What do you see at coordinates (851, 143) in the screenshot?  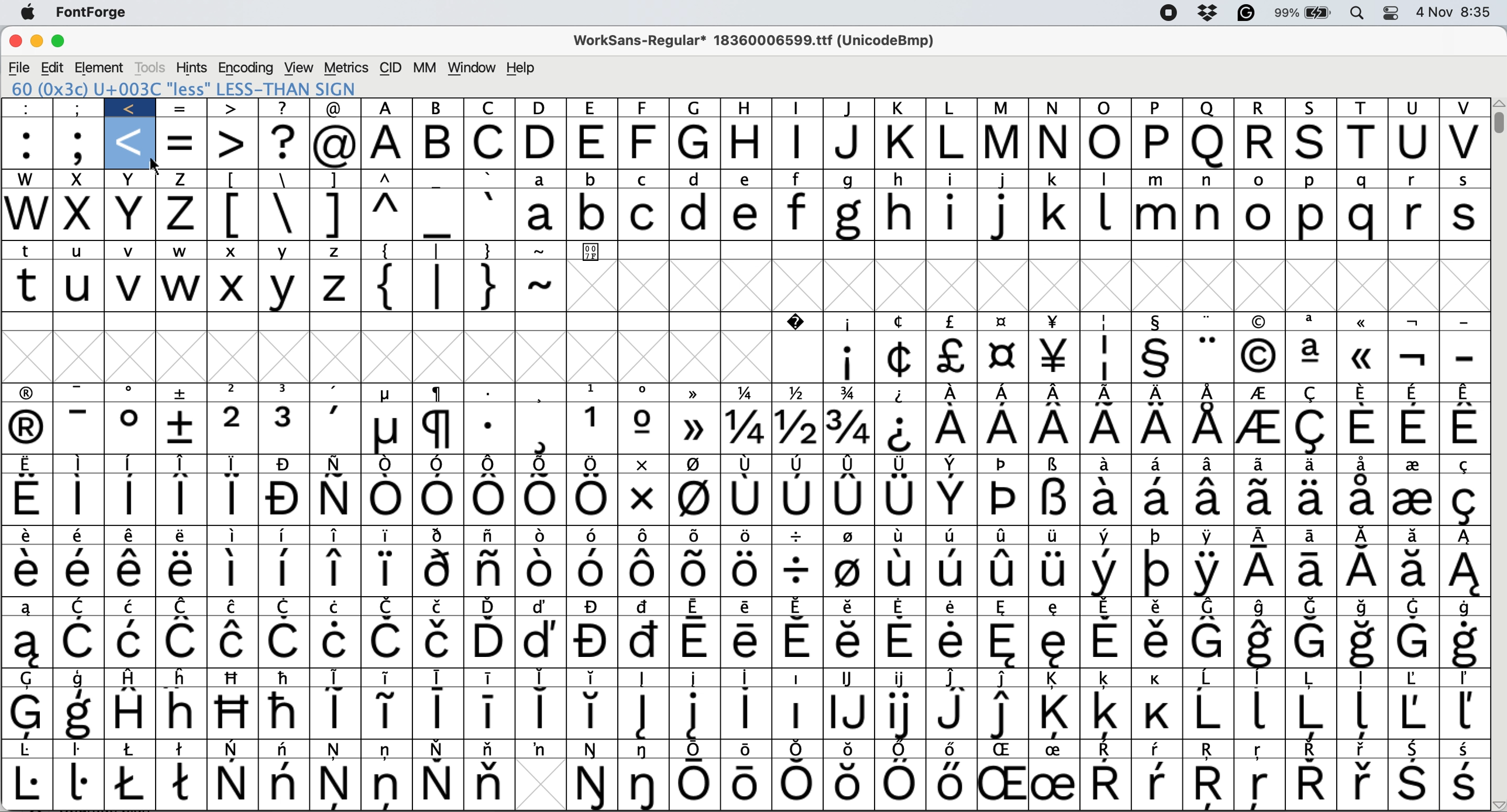 I see `j` at bounding box center [851, 143].